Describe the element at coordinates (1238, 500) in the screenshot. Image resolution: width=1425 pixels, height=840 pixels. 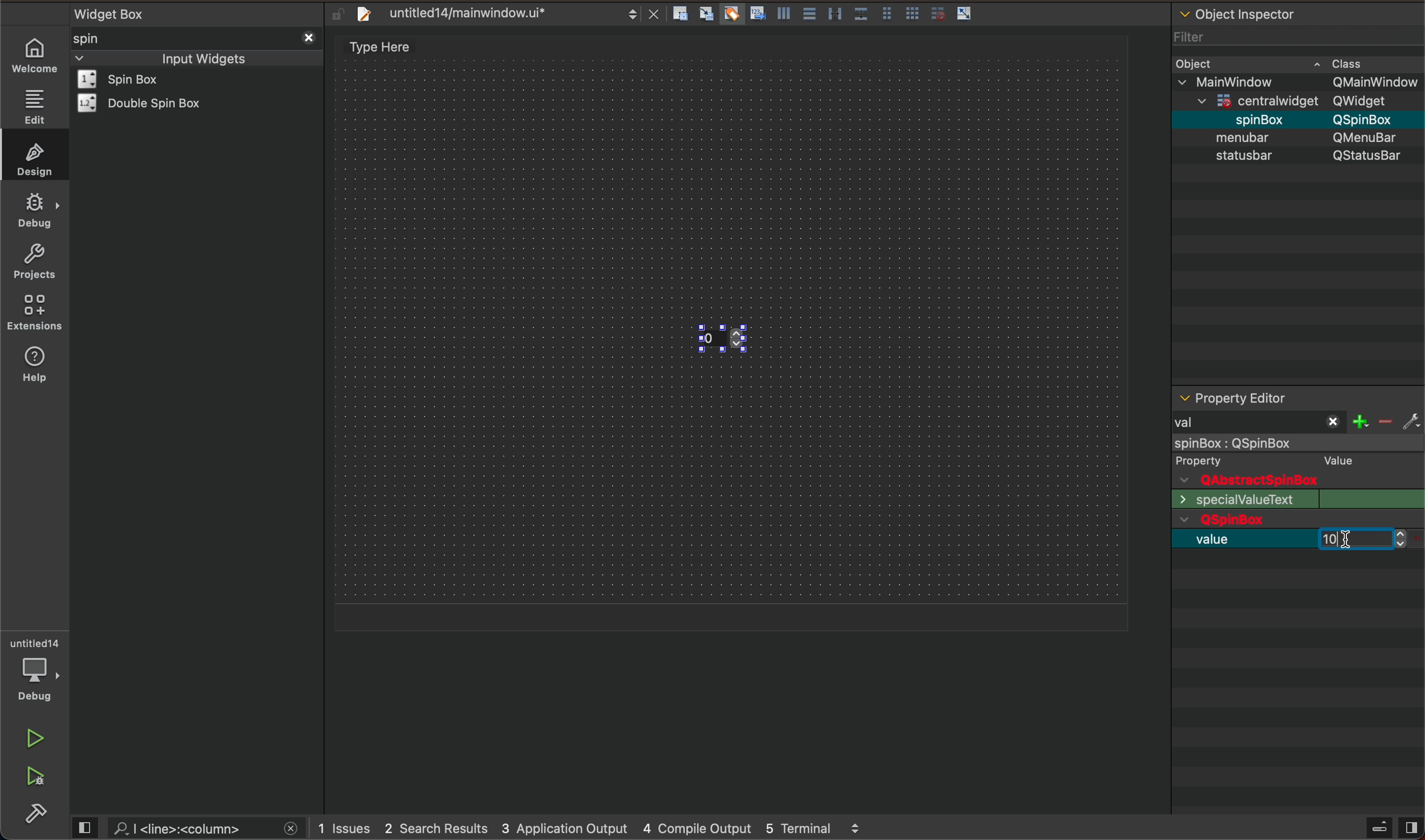
I see `text` at that location.